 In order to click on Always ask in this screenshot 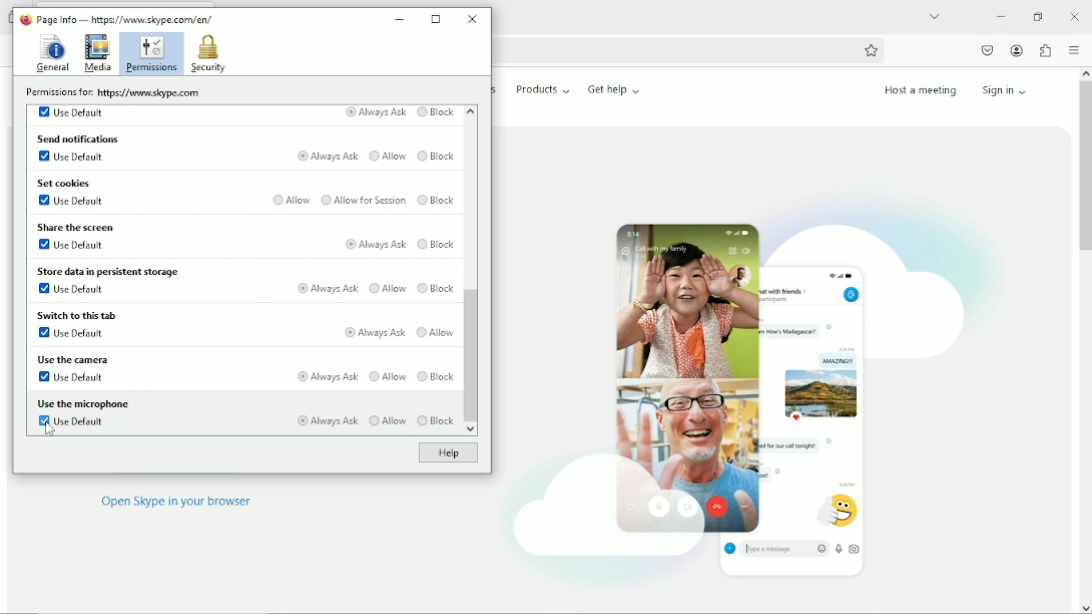, I will do `click(324, 420)`.